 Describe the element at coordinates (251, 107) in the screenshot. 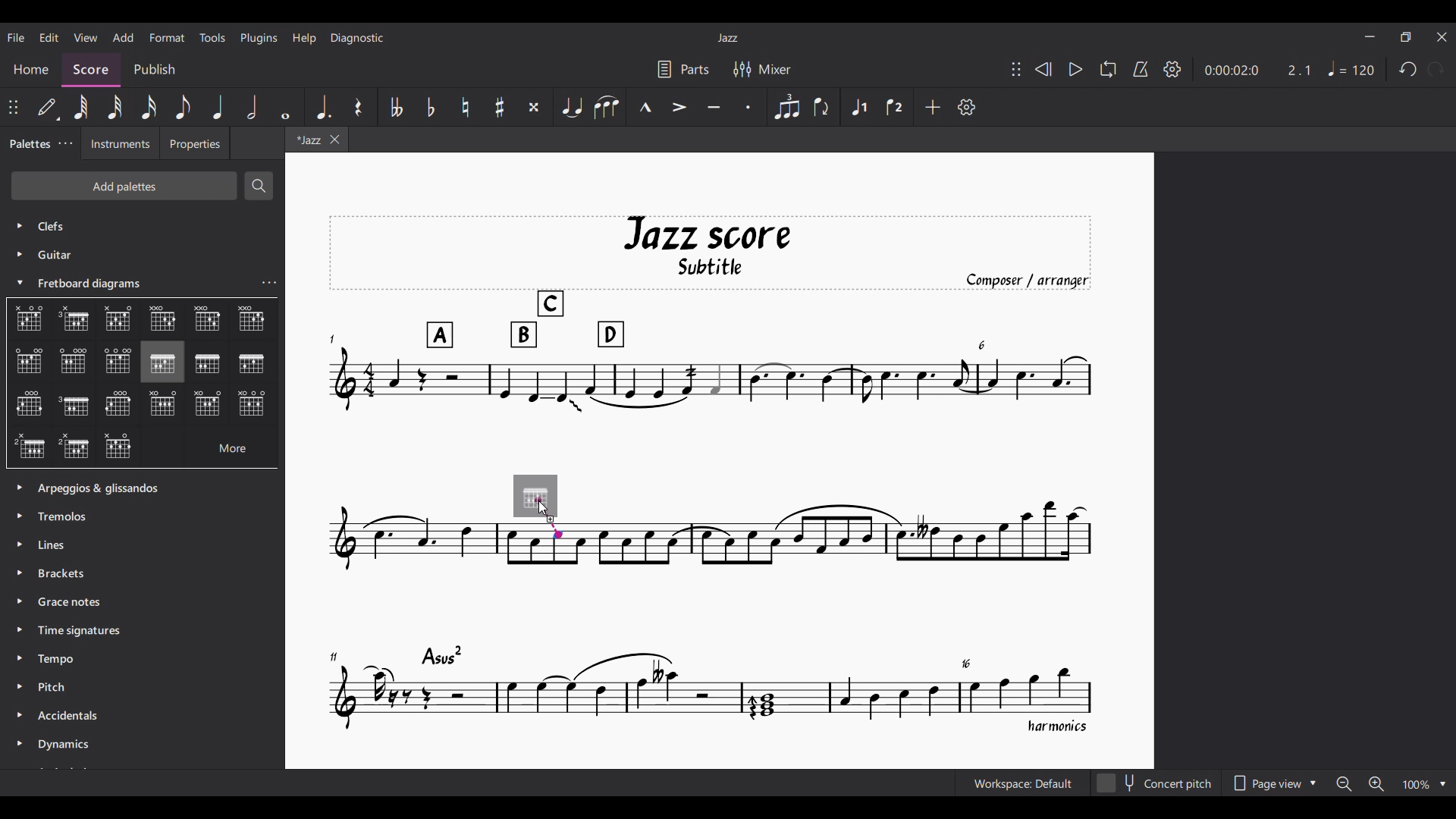

I see `Half note` at that location.